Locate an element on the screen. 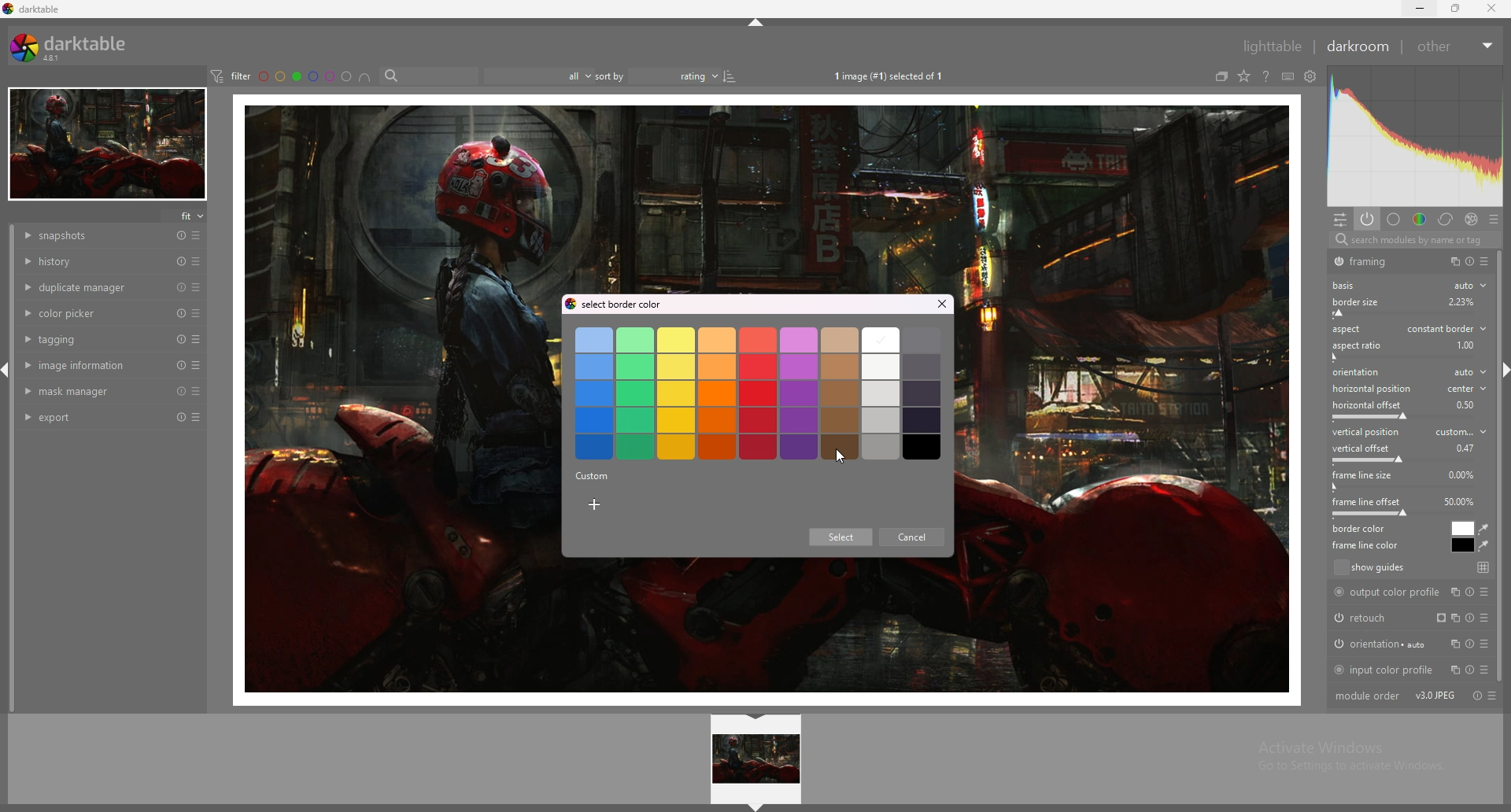  Select is located at coordinates (840, 538).